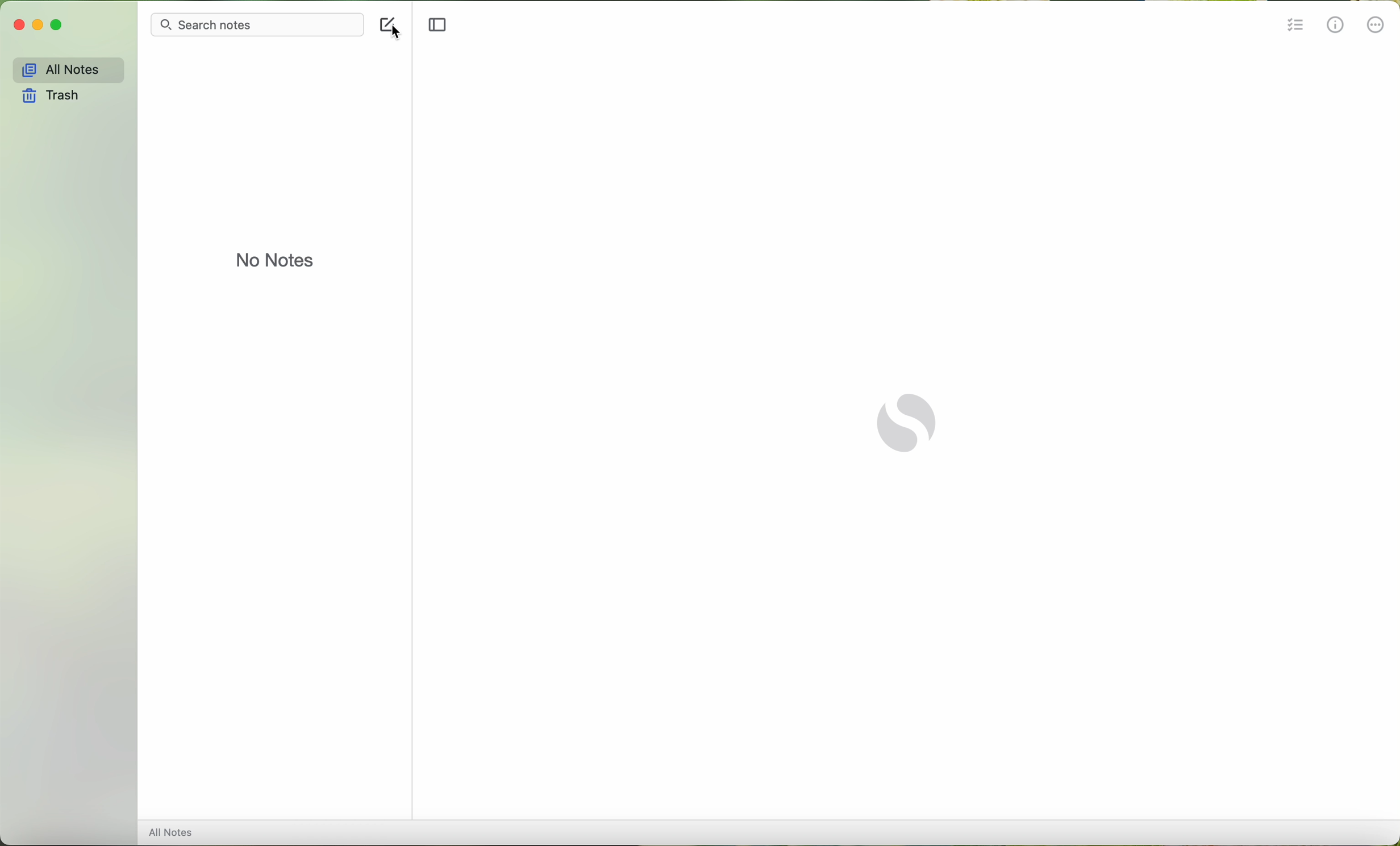 This screenshot has width=1400, height=846. What do you see at coordinates (67, 69) in the screenshot?
I see `all notes` at bounding box center [67, 69].